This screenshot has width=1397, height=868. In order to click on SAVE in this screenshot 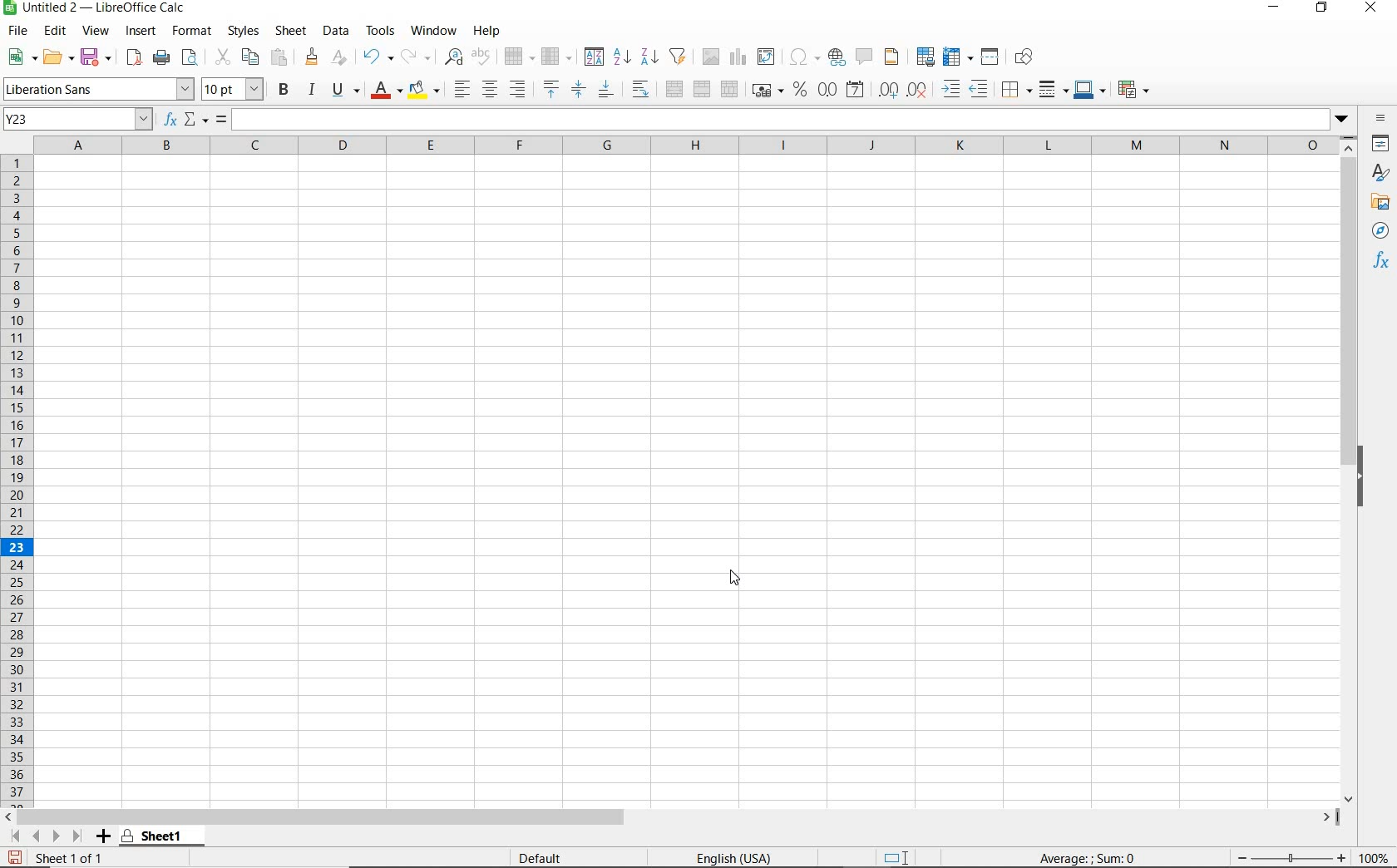, I will do `click(96, 57)`.